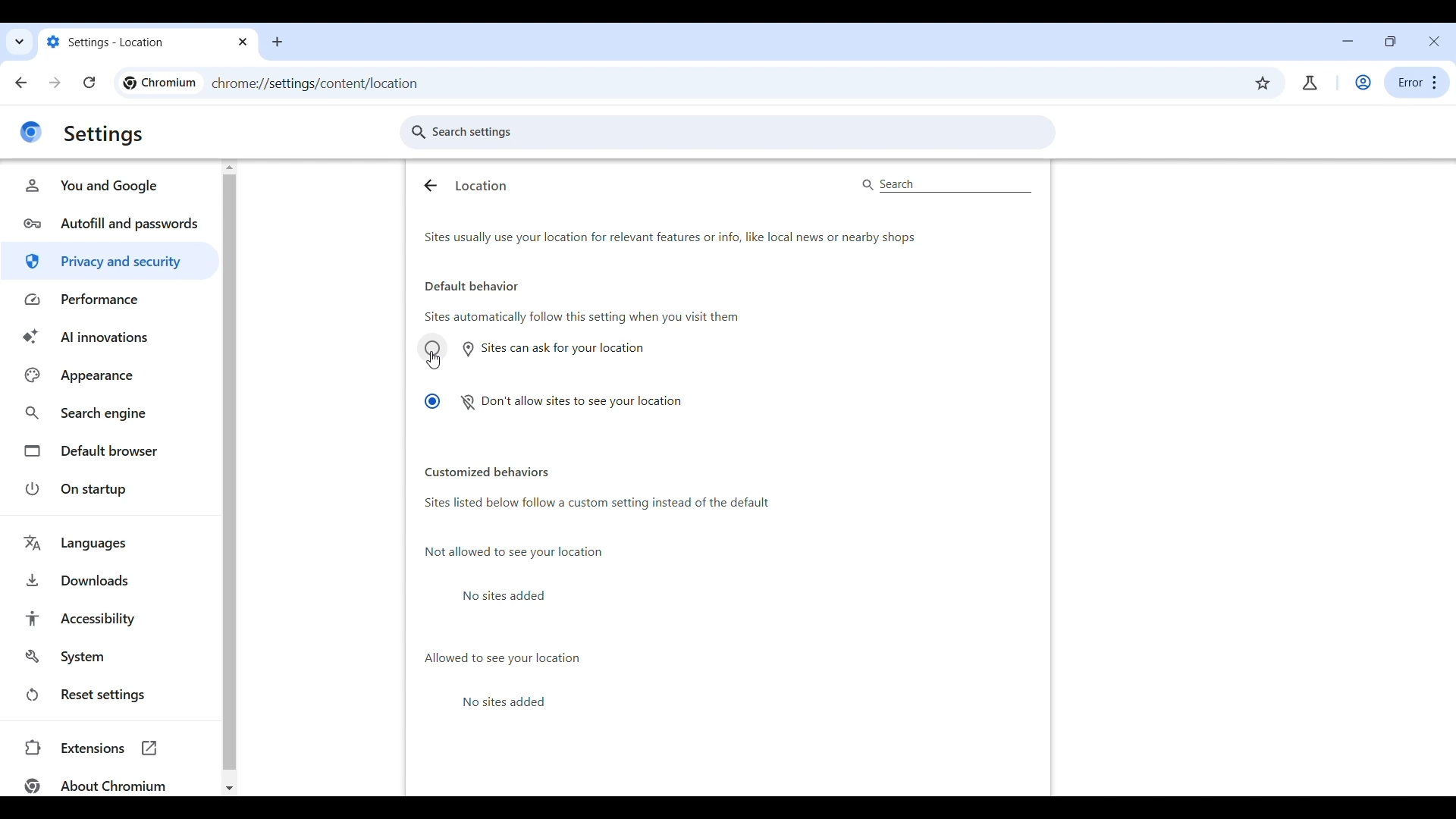 The width and height of the screenshot is (1456, 819). I want to click on Cursor , so click(435, 360).